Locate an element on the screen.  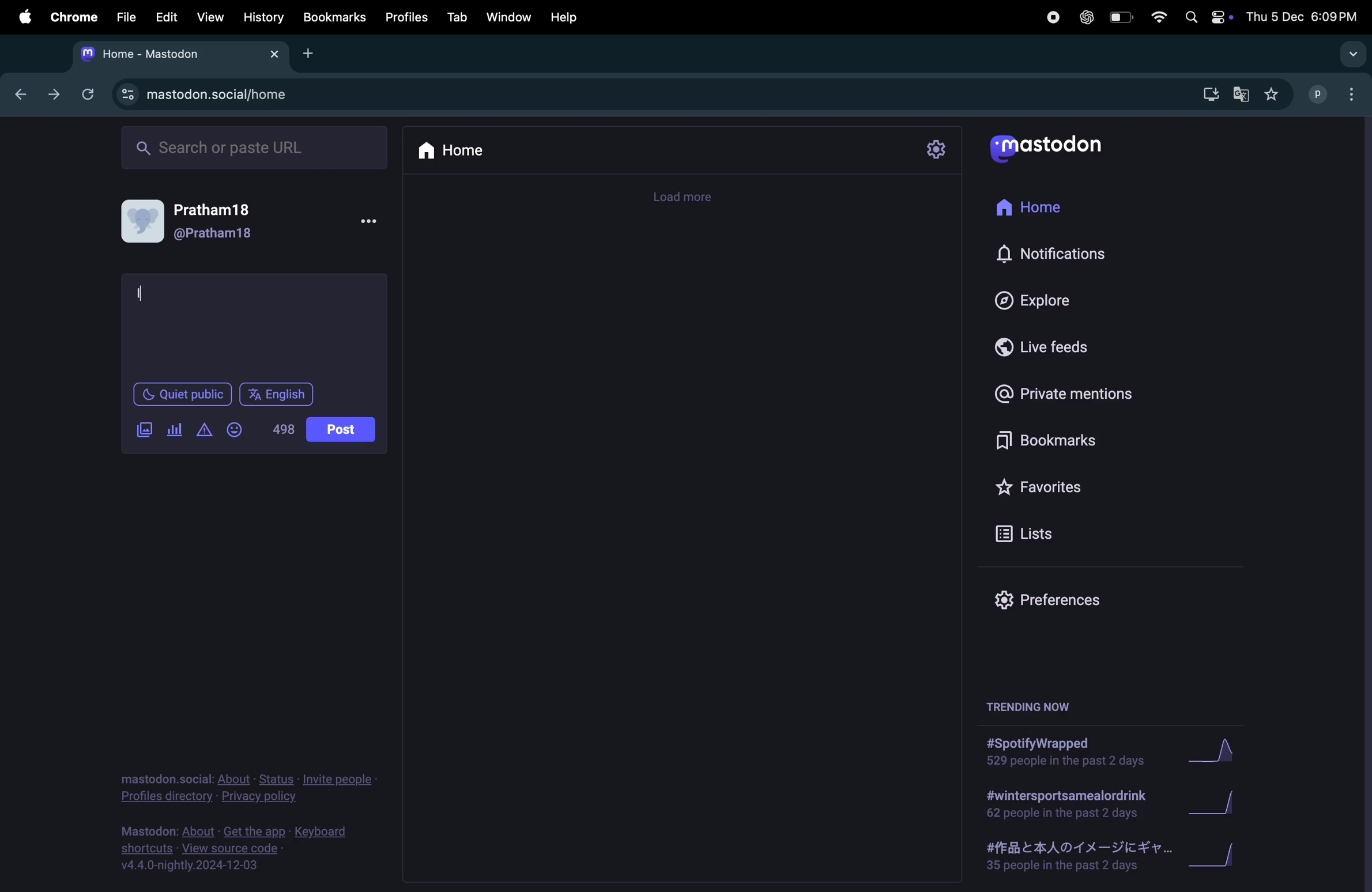
graph is located at coordinates (1215, 805).